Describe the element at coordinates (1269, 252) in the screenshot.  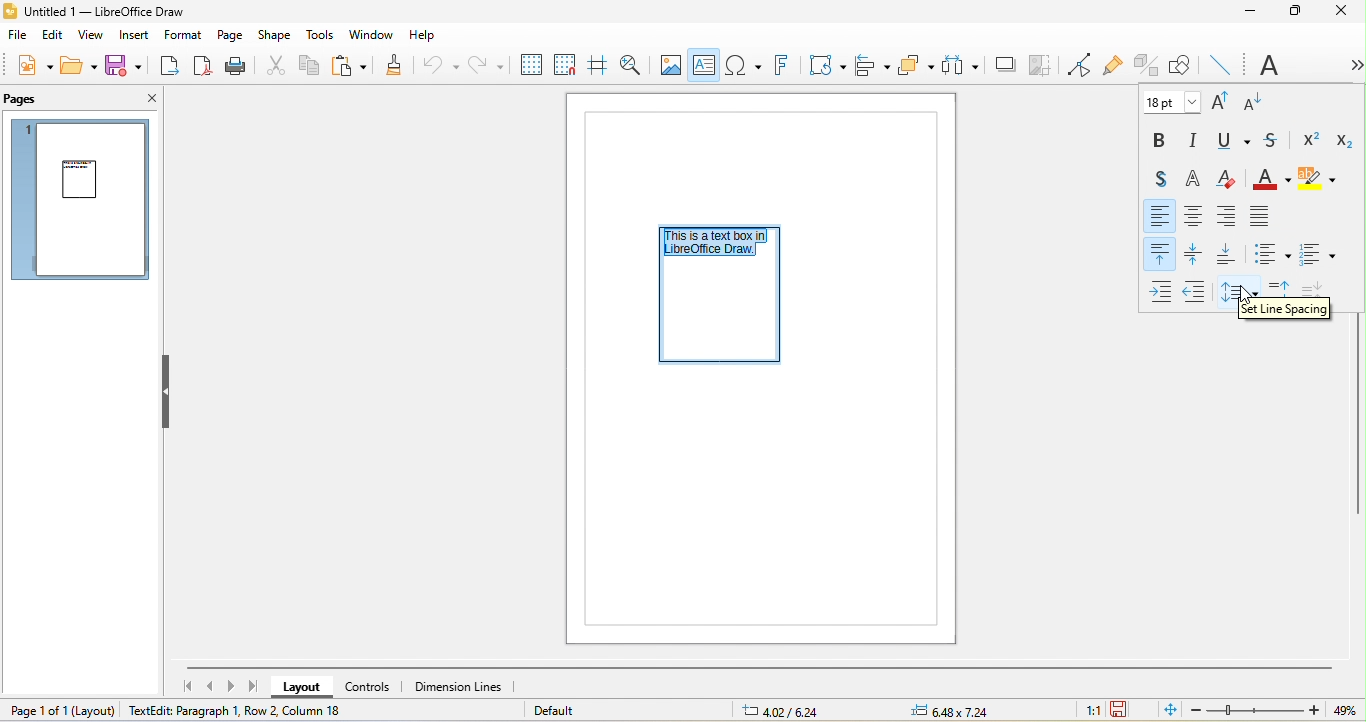
I see `toggle unordered list` at that location.